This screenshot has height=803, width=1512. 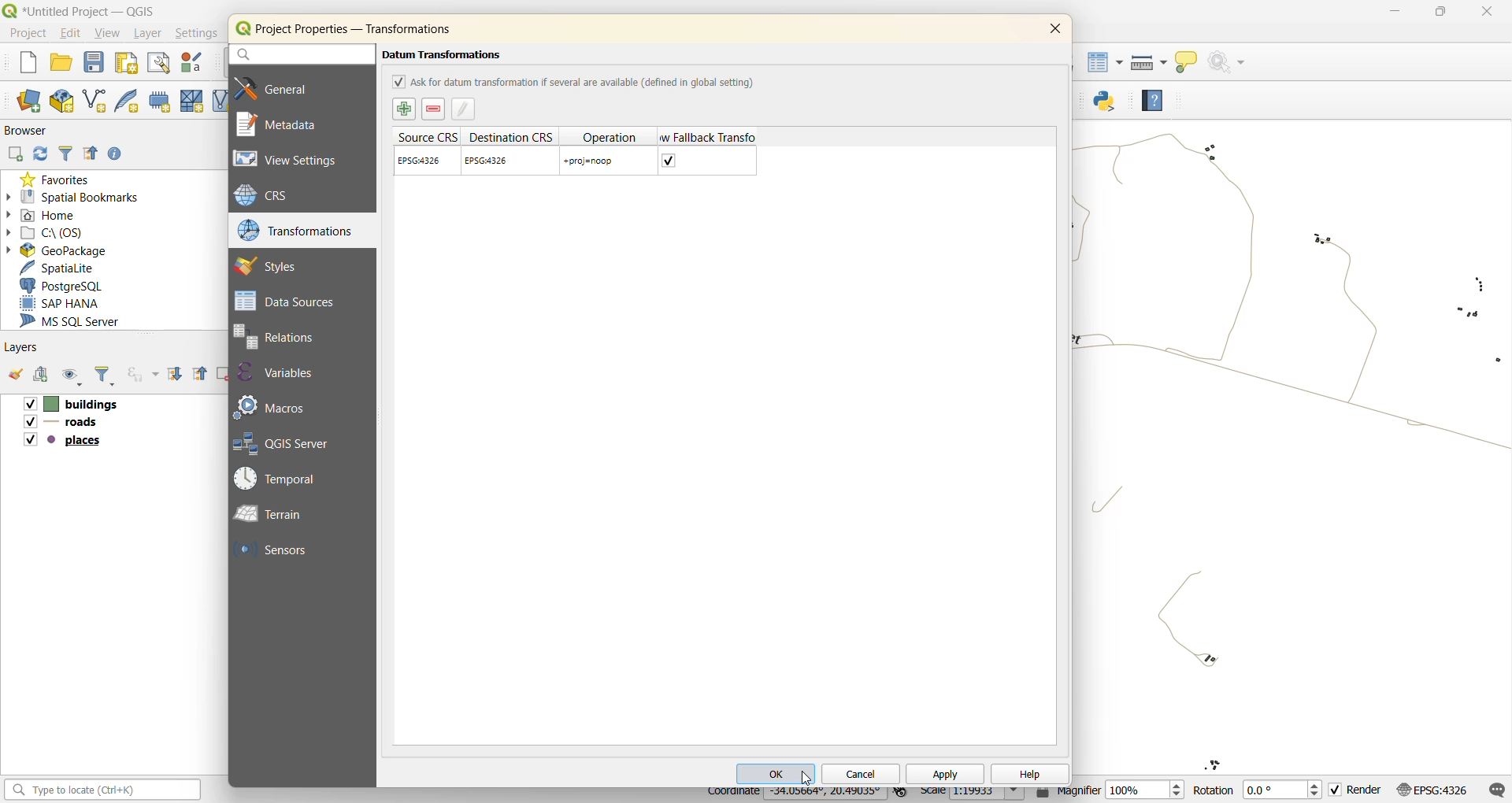 I want to click on project, so click(x=25, y=31).